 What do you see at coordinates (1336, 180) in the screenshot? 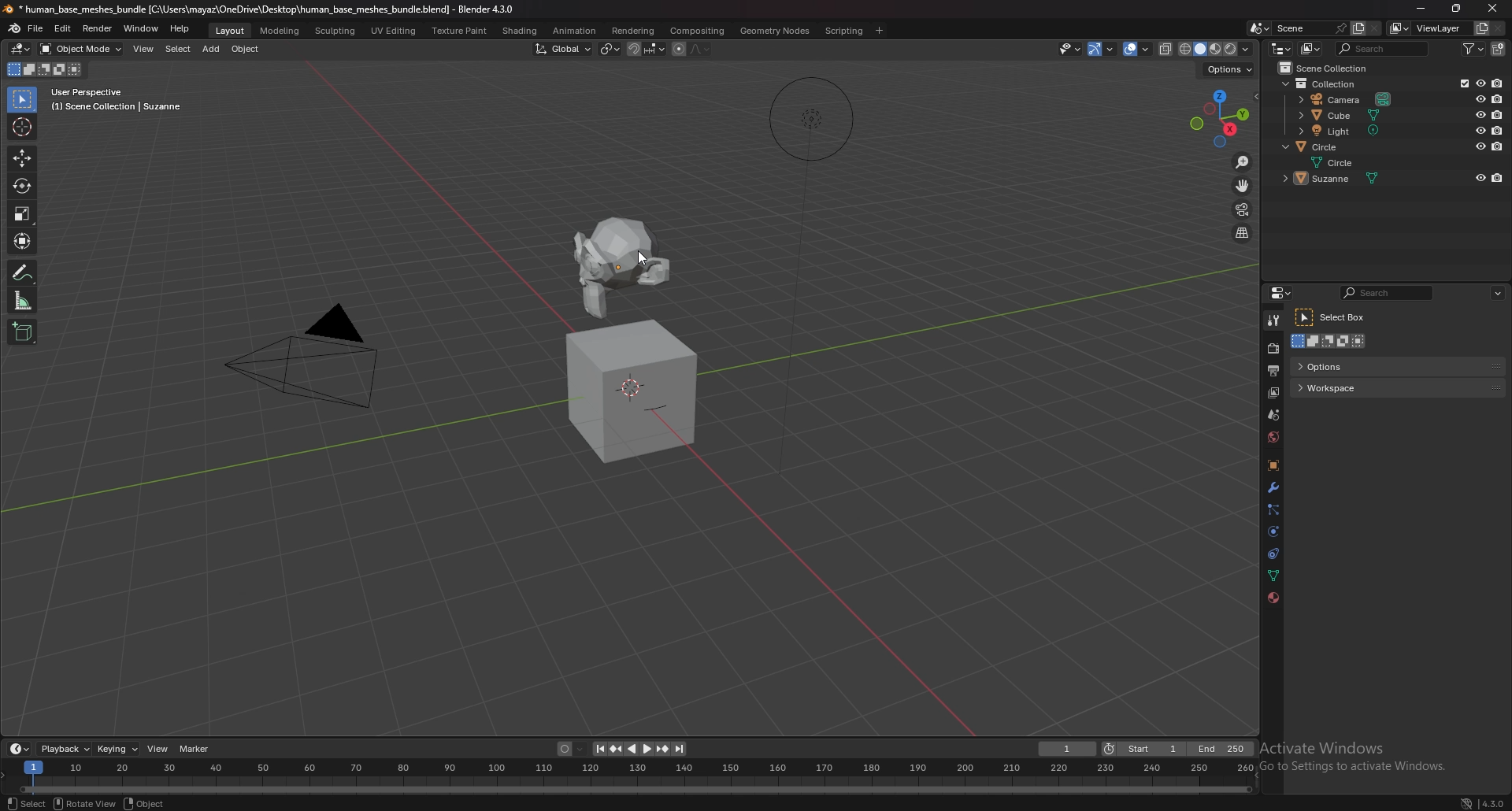
I see `suzanne` at bounding box center [1336, 180].